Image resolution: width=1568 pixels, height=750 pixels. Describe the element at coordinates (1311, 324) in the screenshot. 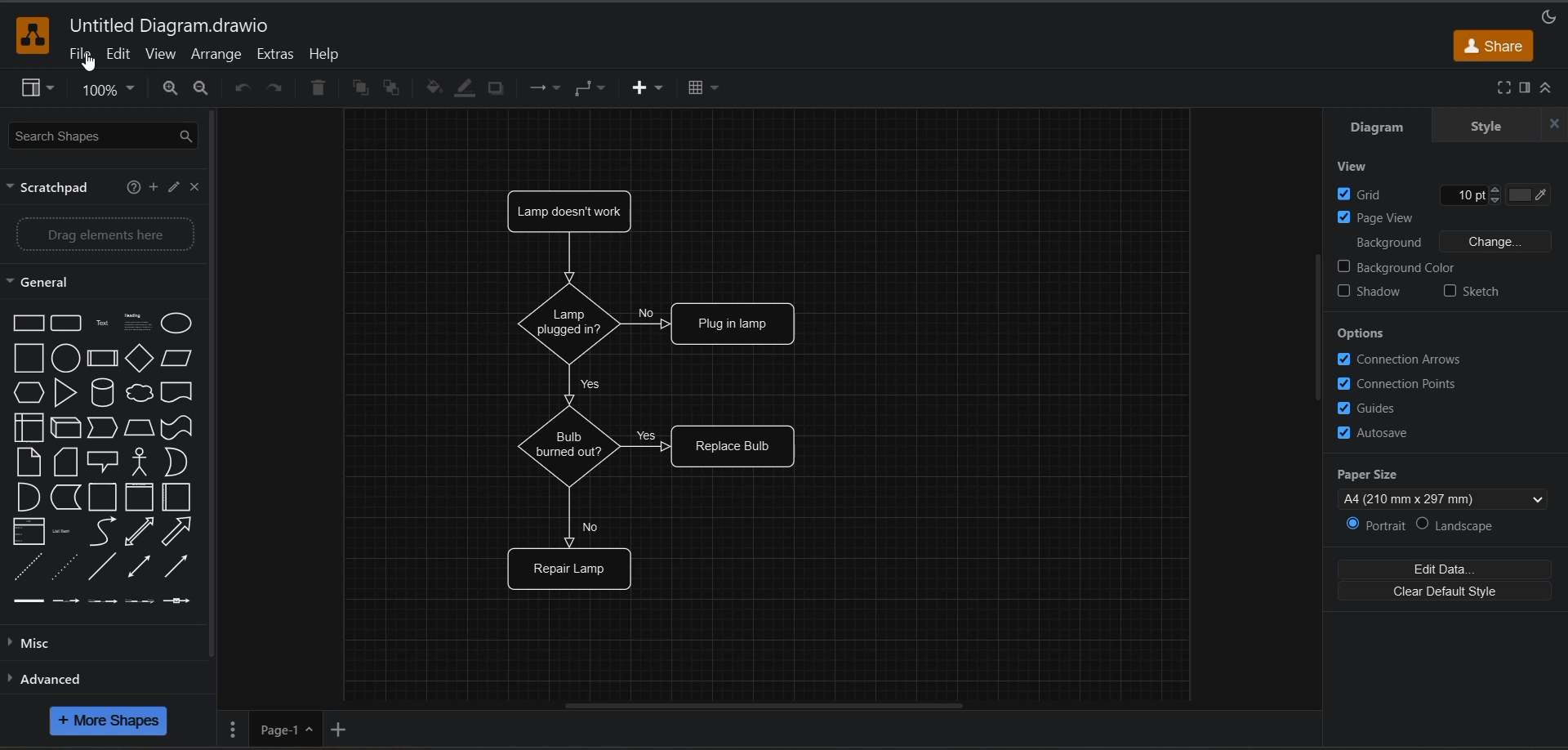

I see `vertical scroll bar` at that location.